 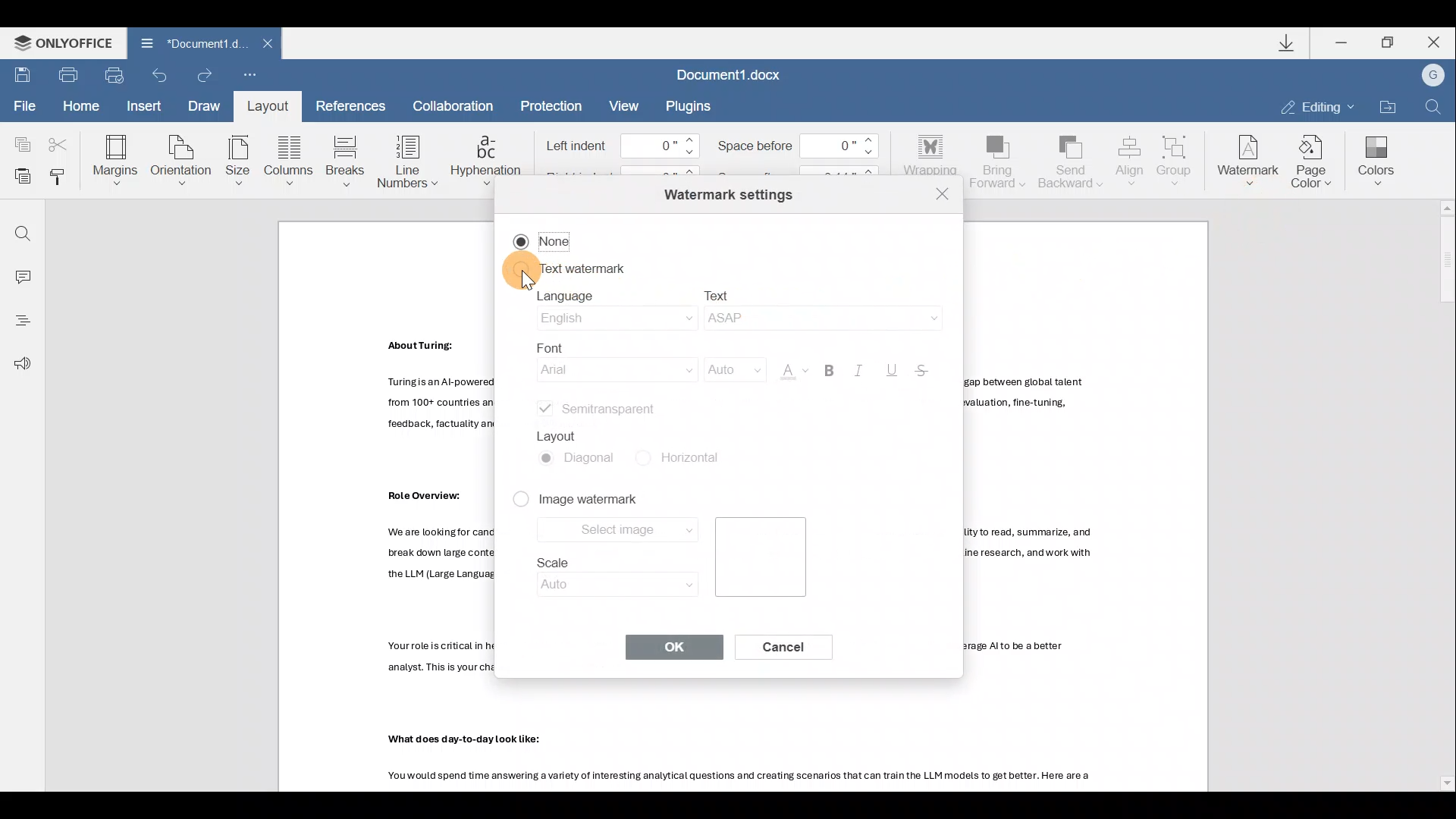 What do you see at coordinates (20, 177) in the screenshot?
I see `Paste` at bounding box center [20, 177].